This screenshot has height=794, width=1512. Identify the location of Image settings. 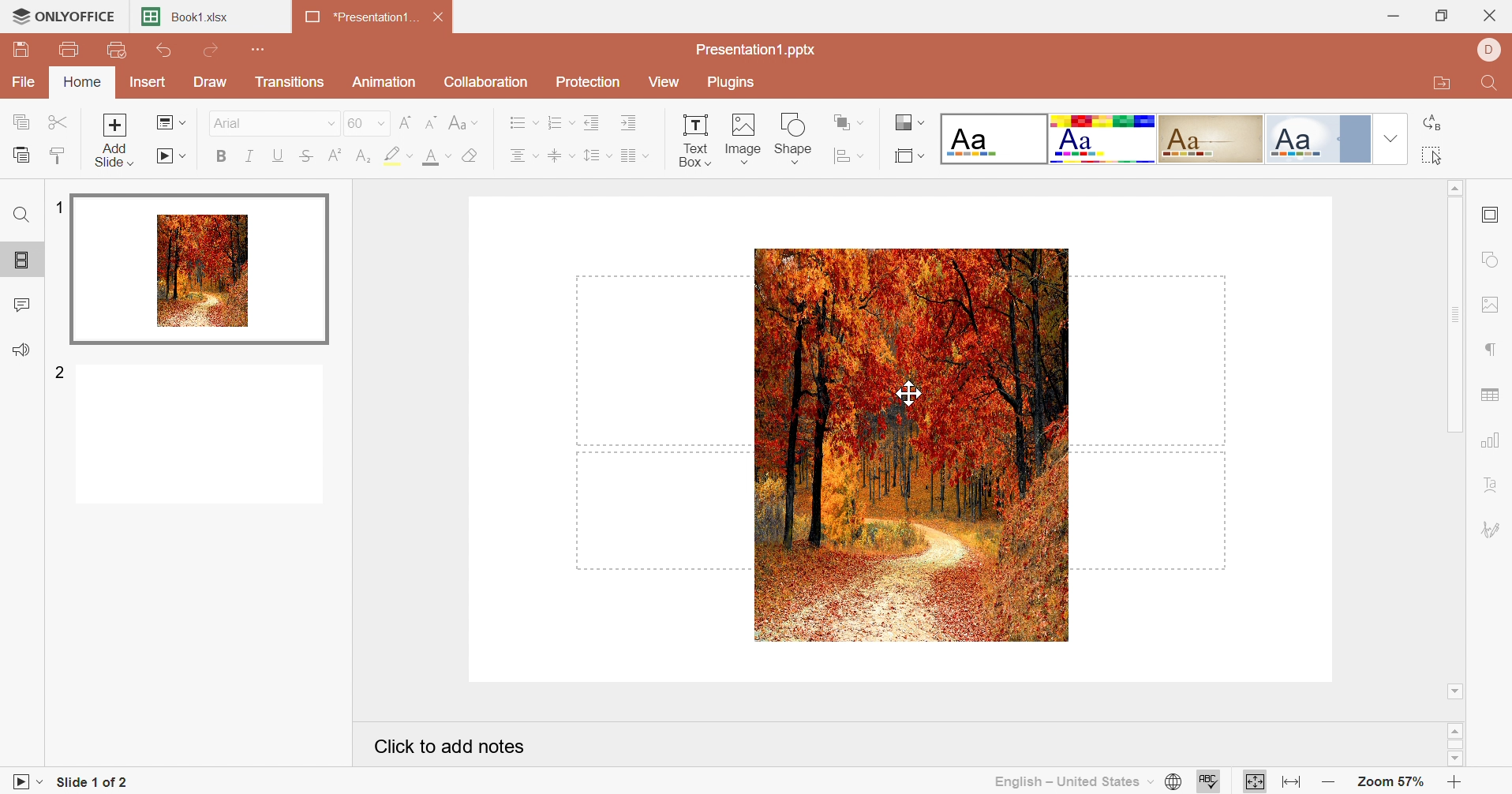
(1489, 305).